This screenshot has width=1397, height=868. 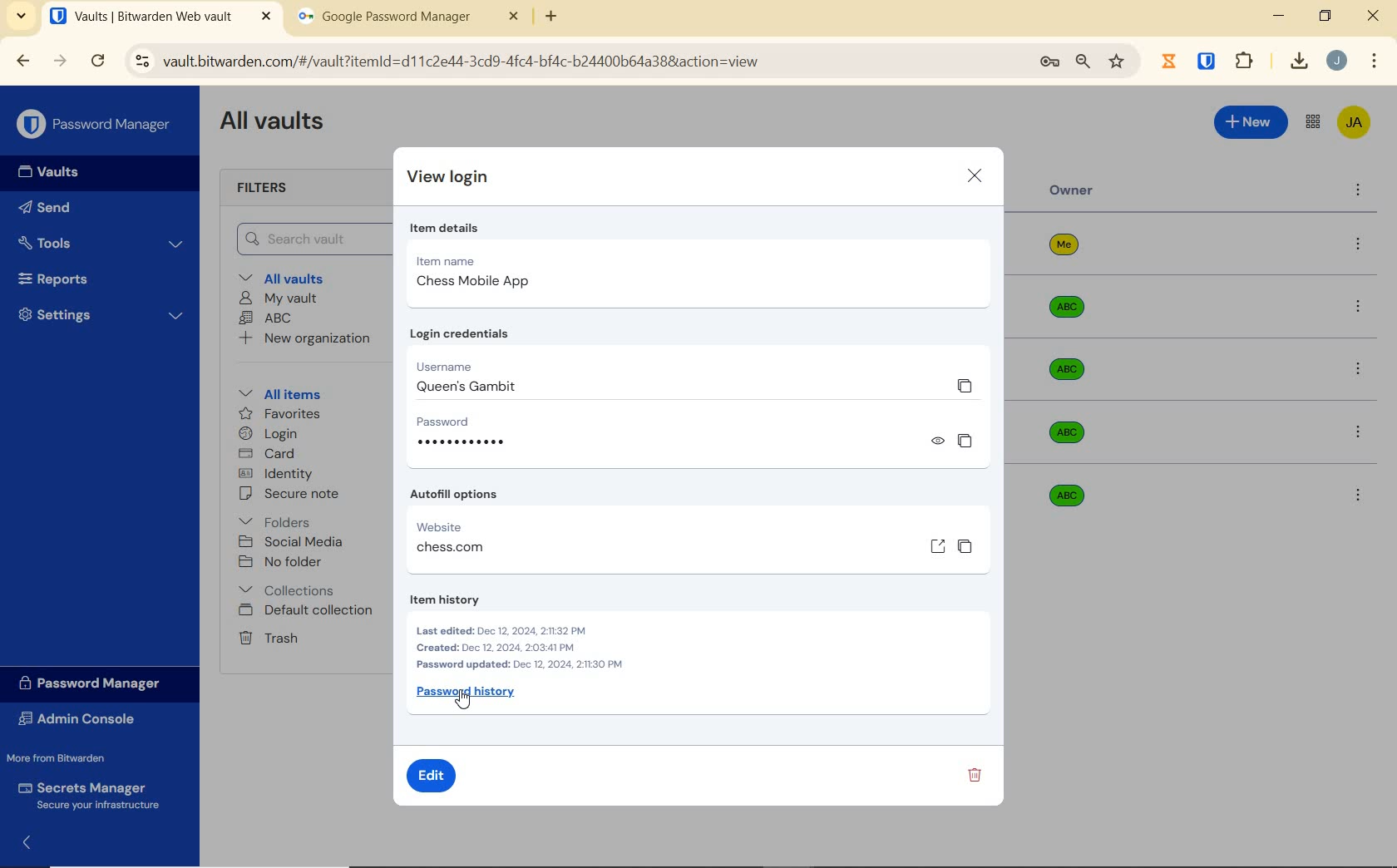 I want to click on Tools, so click(x=104, y=244).